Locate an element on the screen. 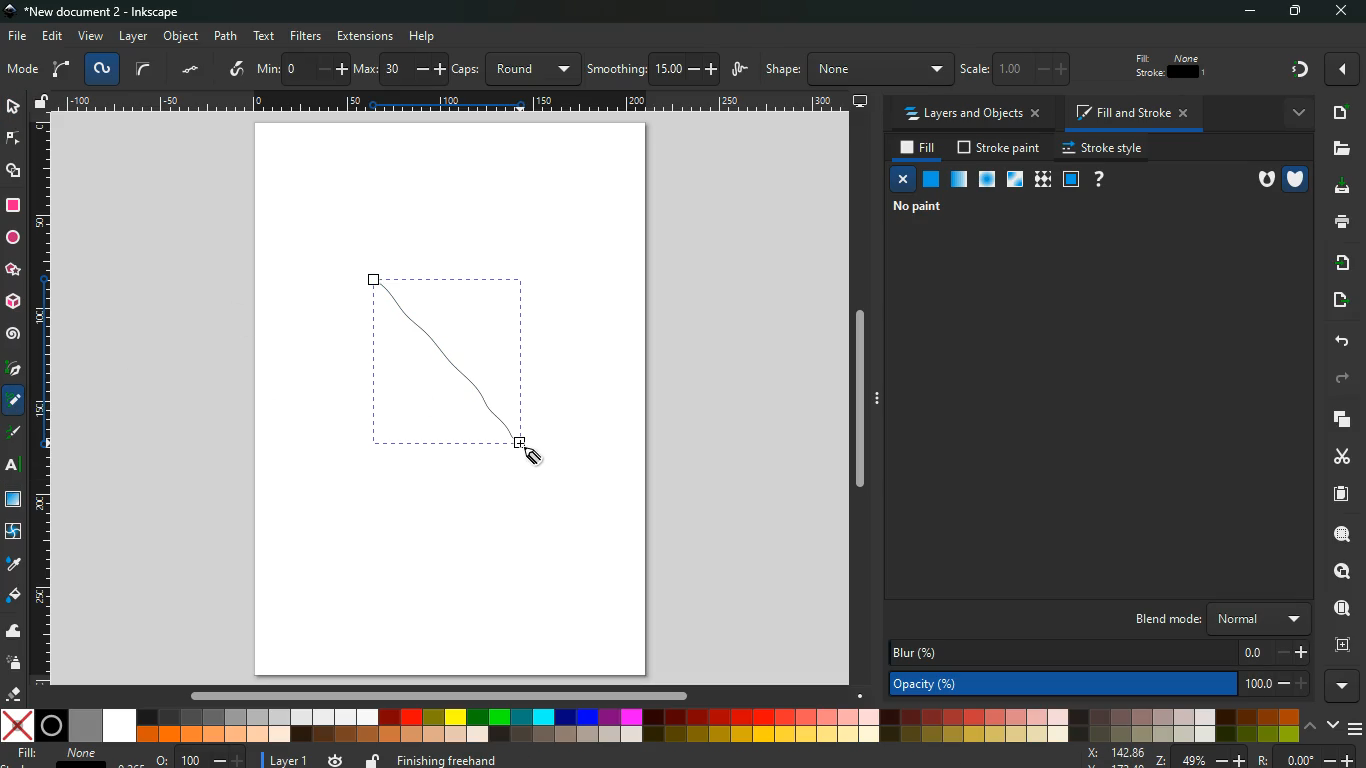  wave is located at coordinates (15, 633).